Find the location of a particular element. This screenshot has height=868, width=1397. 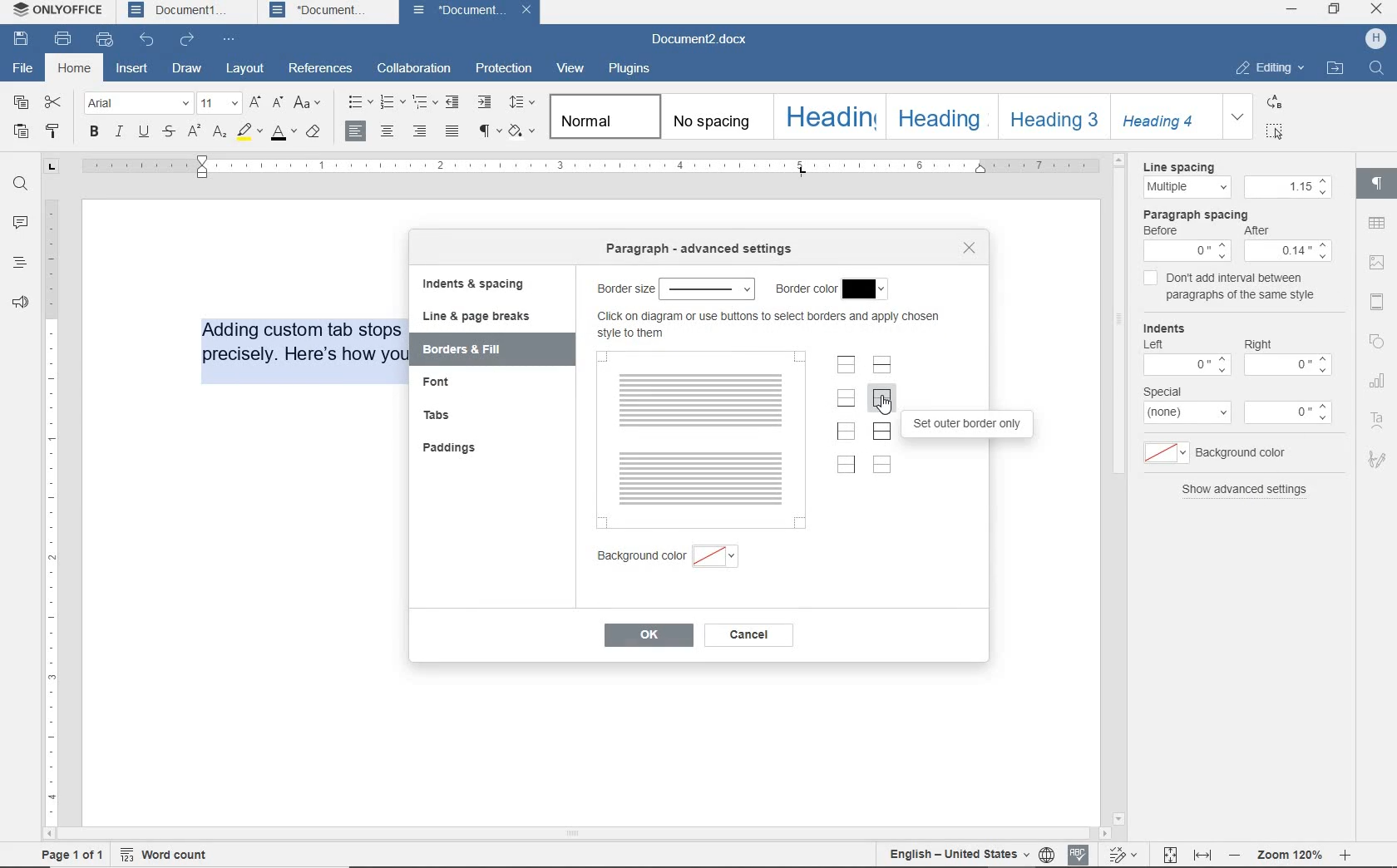

ruler is located at coordinates (52, 501).